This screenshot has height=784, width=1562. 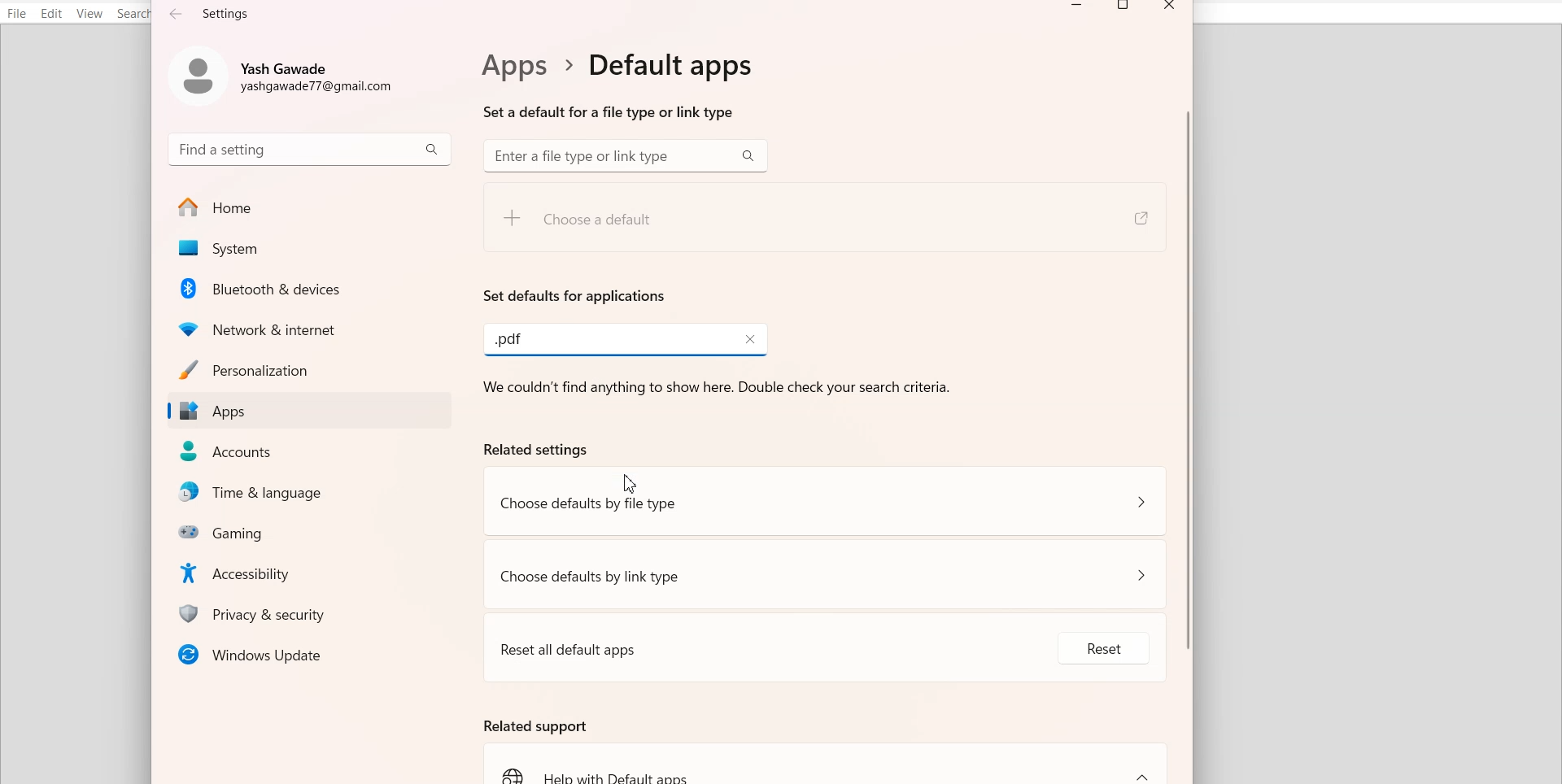 I want to click on Reset, so click(x=1086, y=654).